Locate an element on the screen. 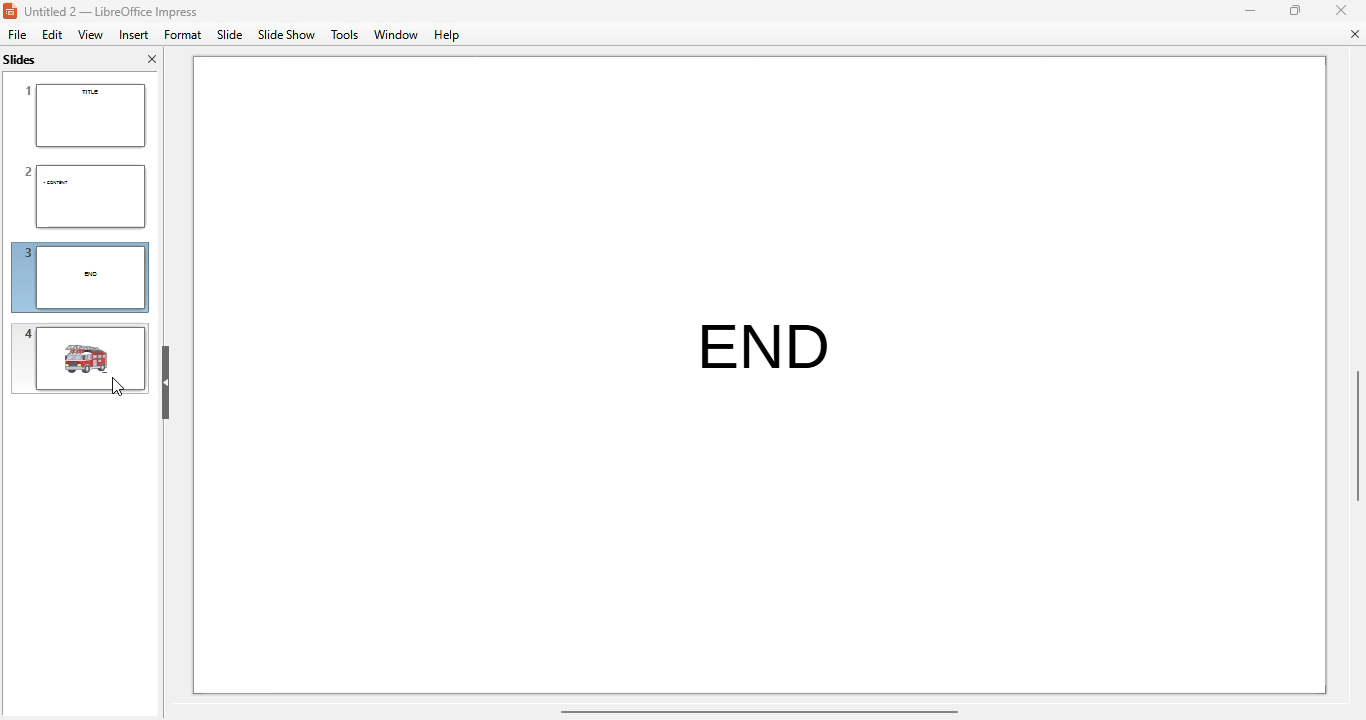  edit is located at coordinates (52, 34).